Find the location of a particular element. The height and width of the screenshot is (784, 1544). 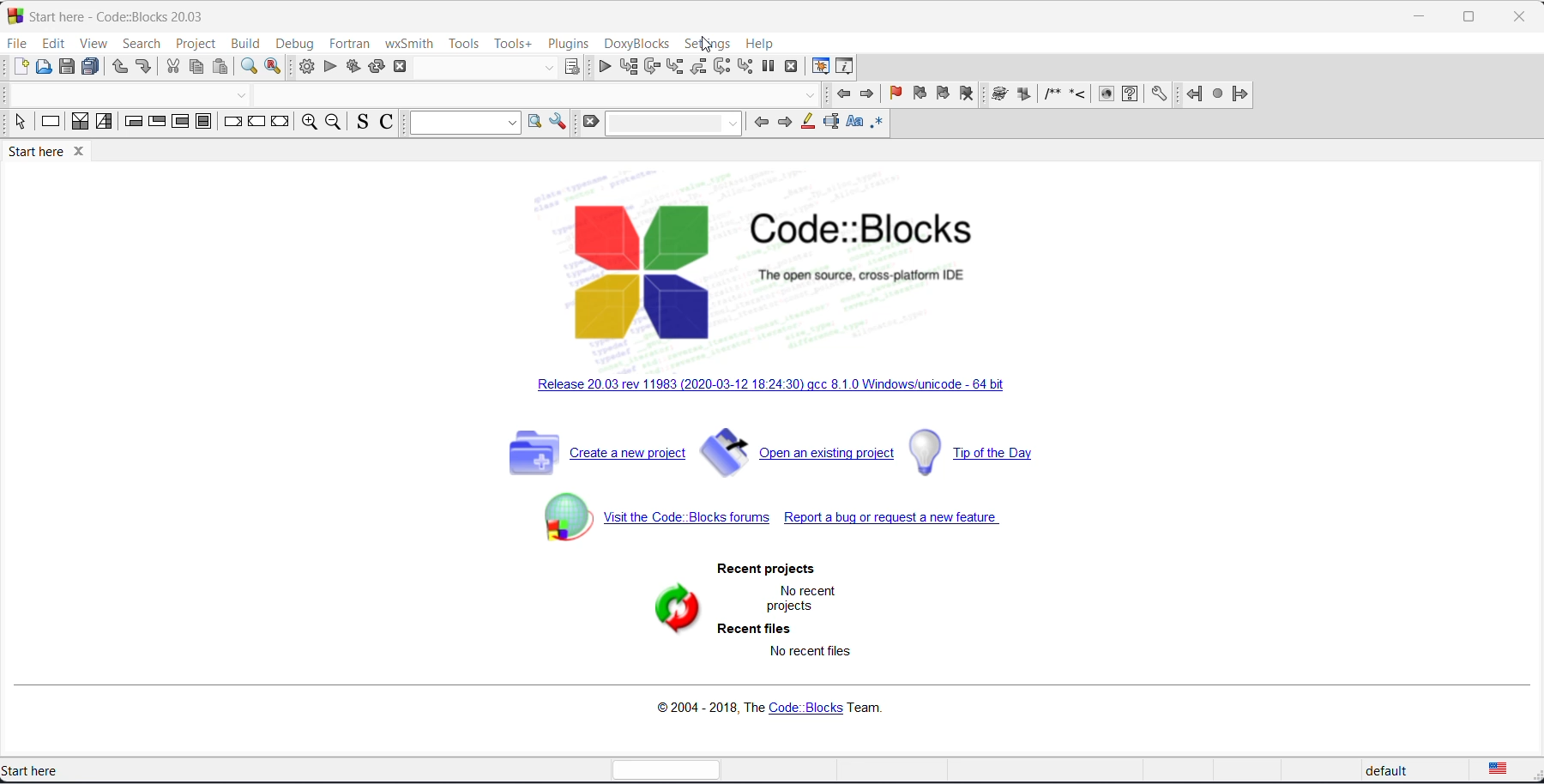

go forward is located at coordinates (785, 122).